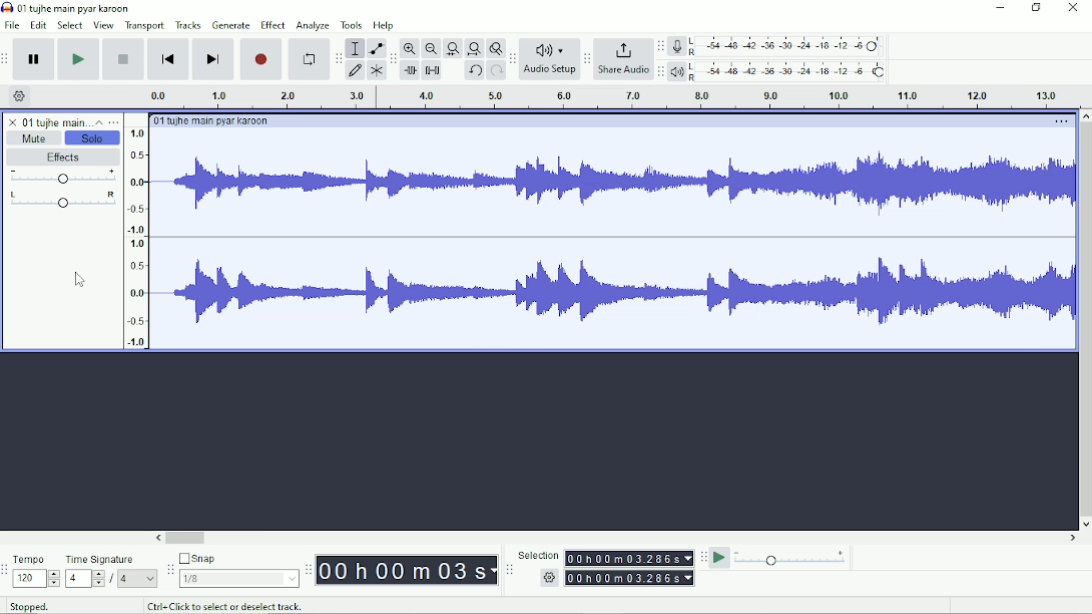 The image size is (1092, 614). I want to click on Enable looping, so click(310, 59).